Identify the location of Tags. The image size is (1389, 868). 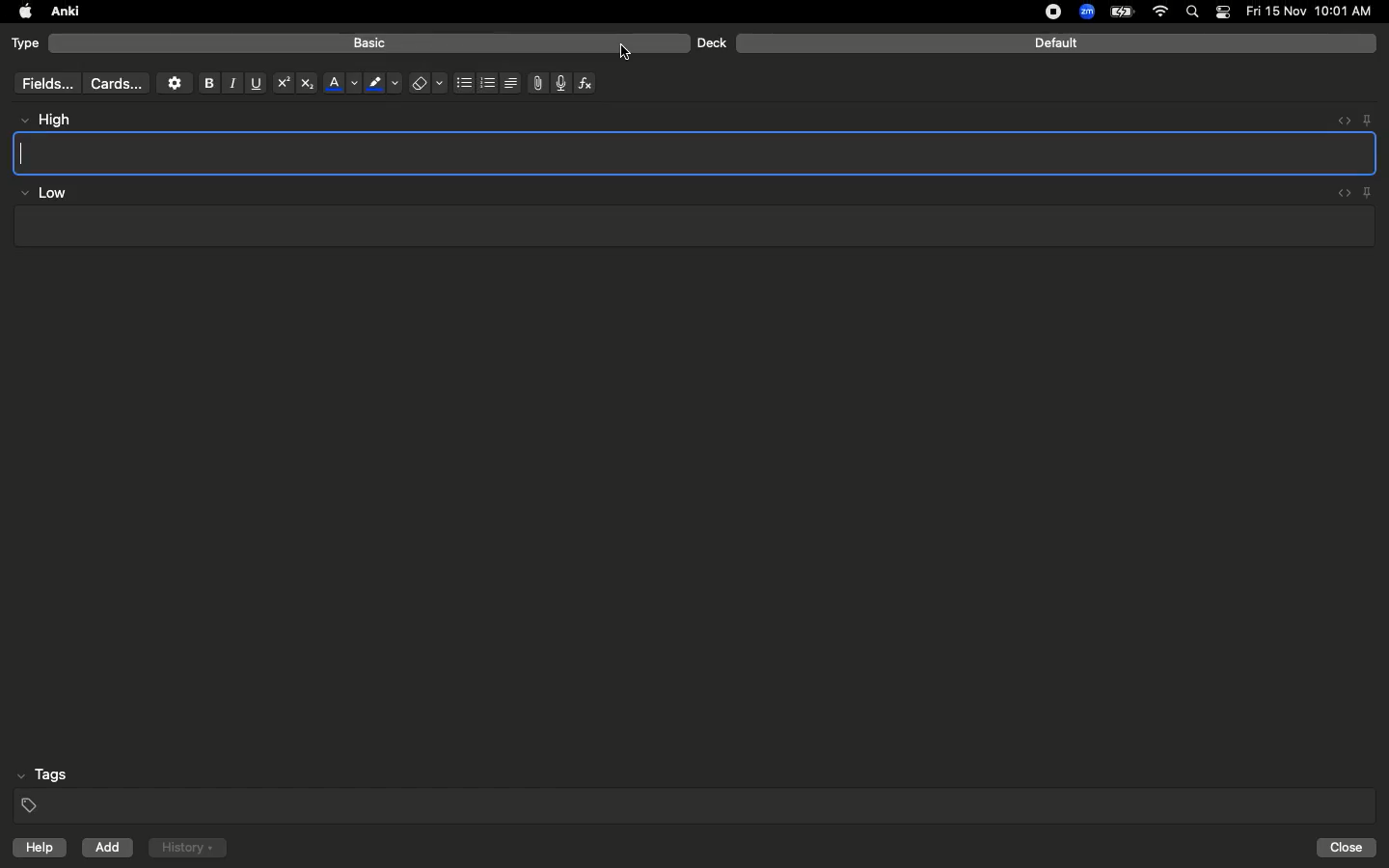
(696, 791).